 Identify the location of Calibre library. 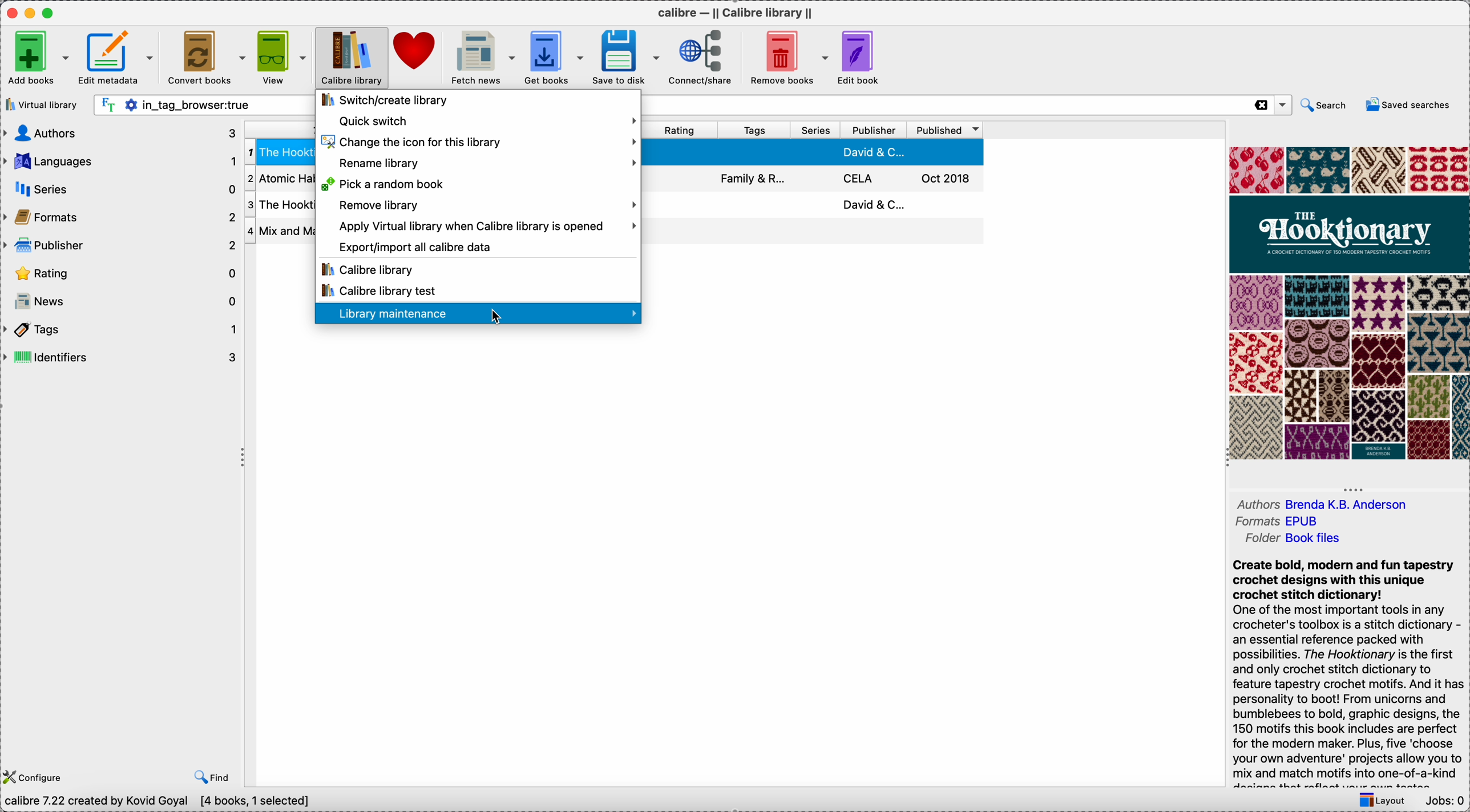
(370, 268).